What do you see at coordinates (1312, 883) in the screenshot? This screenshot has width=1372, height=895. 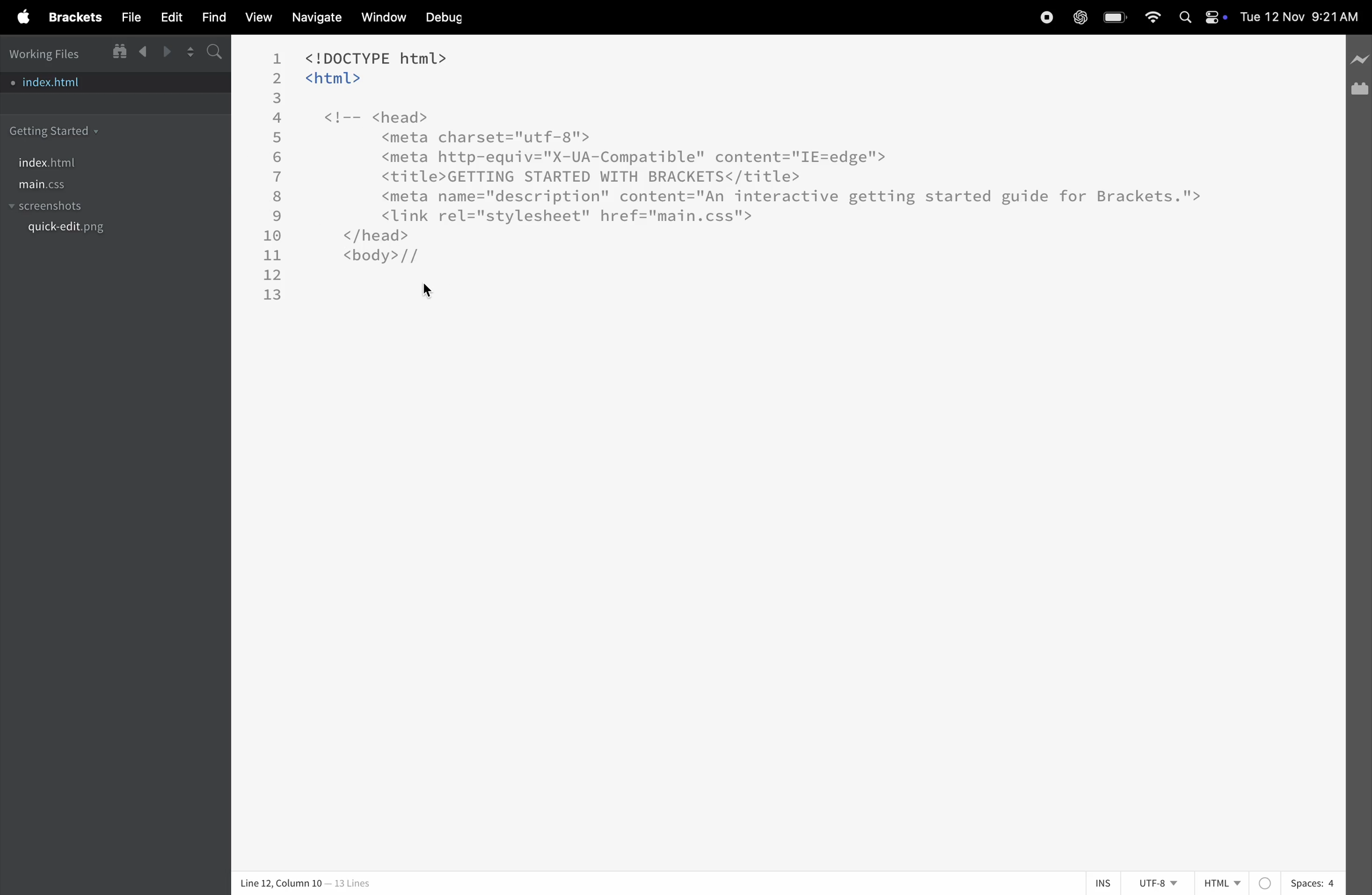 I see `spaces 4` at bounding box center [1312, 883].